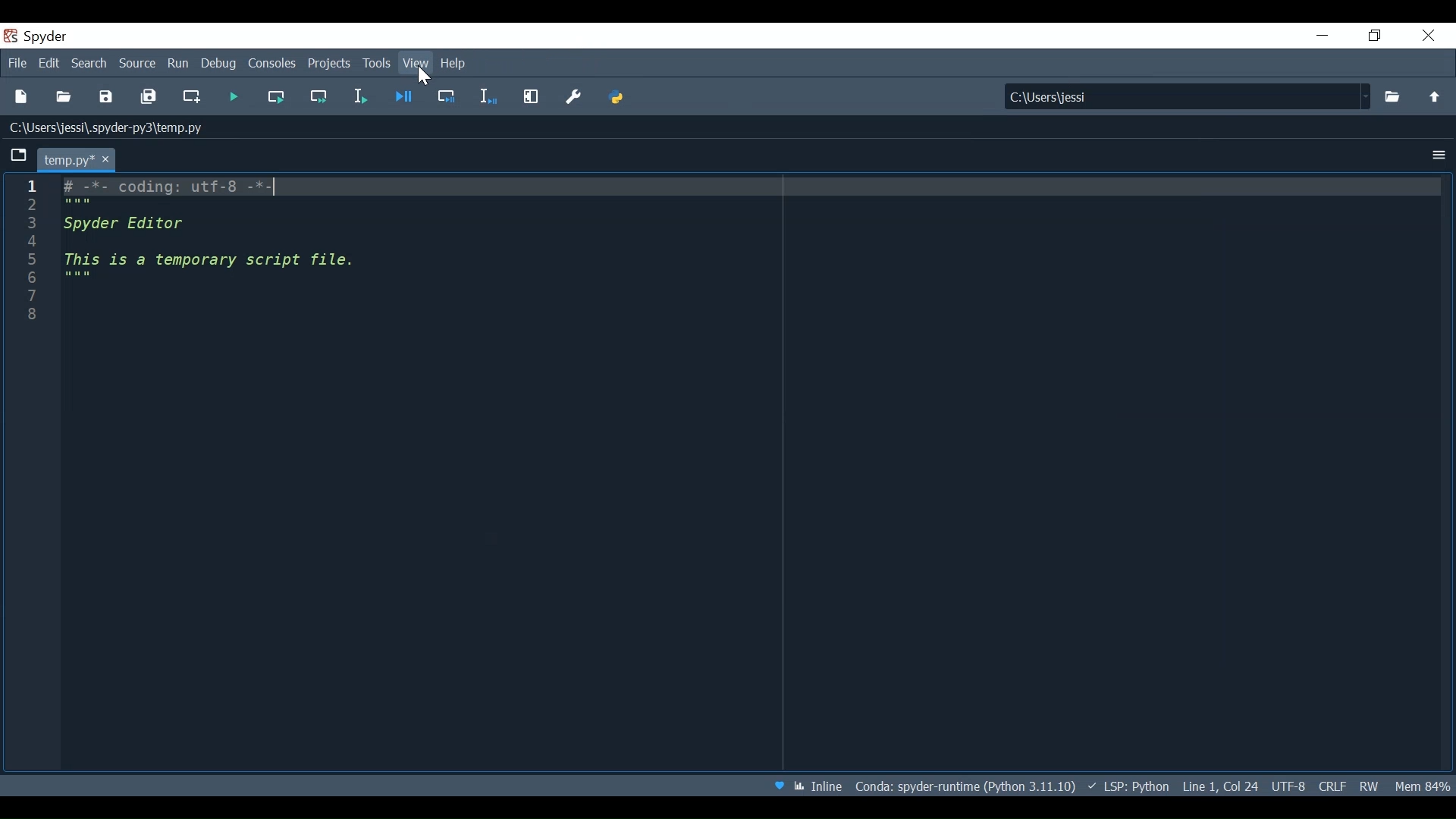 The image size is (1456, 819). What do you see at coordinates (17, 63) in the screenshot?
I see `File` at bounding box center [17, 63].